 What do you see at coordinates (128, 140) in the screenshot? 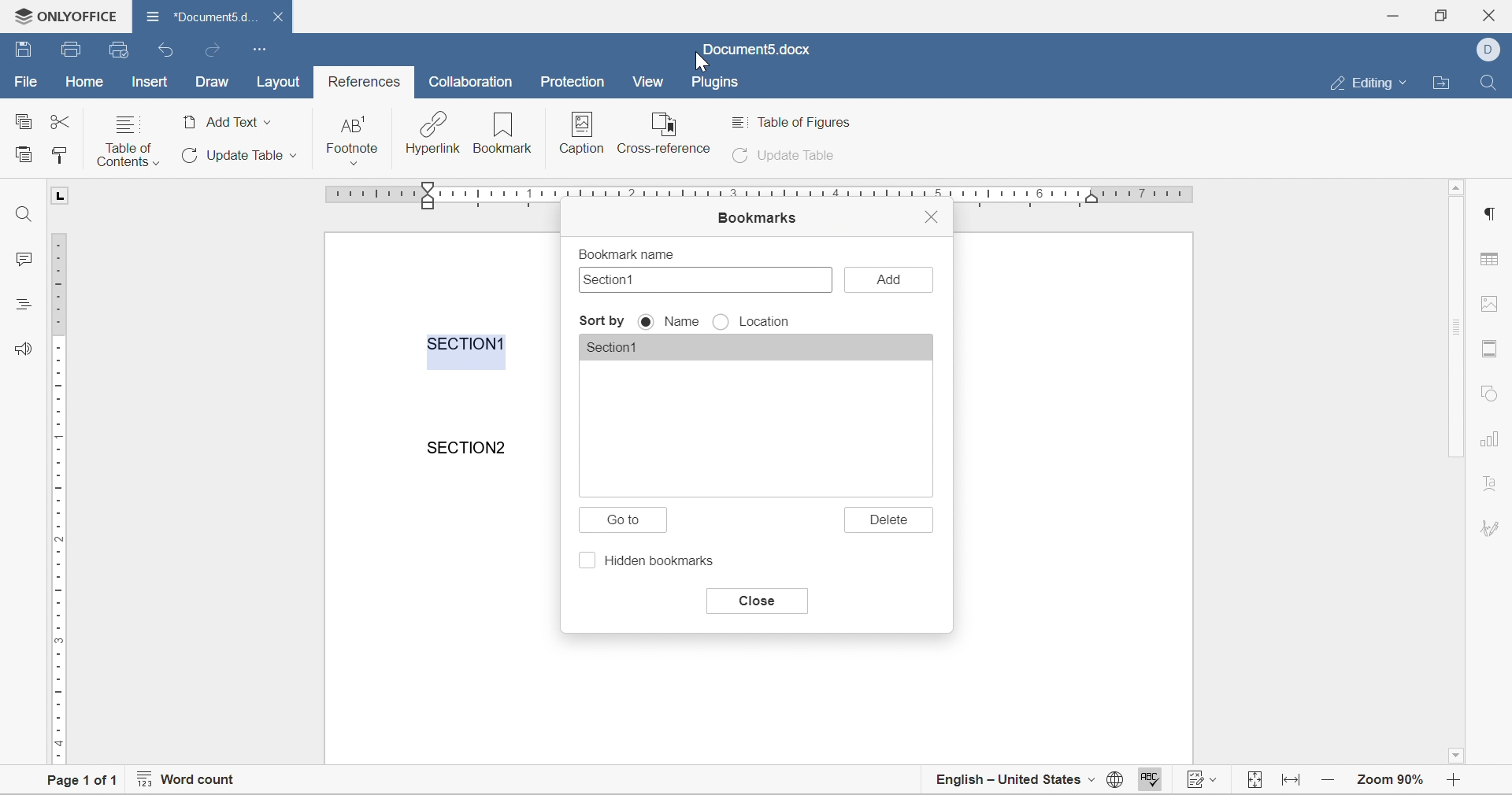
I see `table of contents` at bounding box center [128, 140].